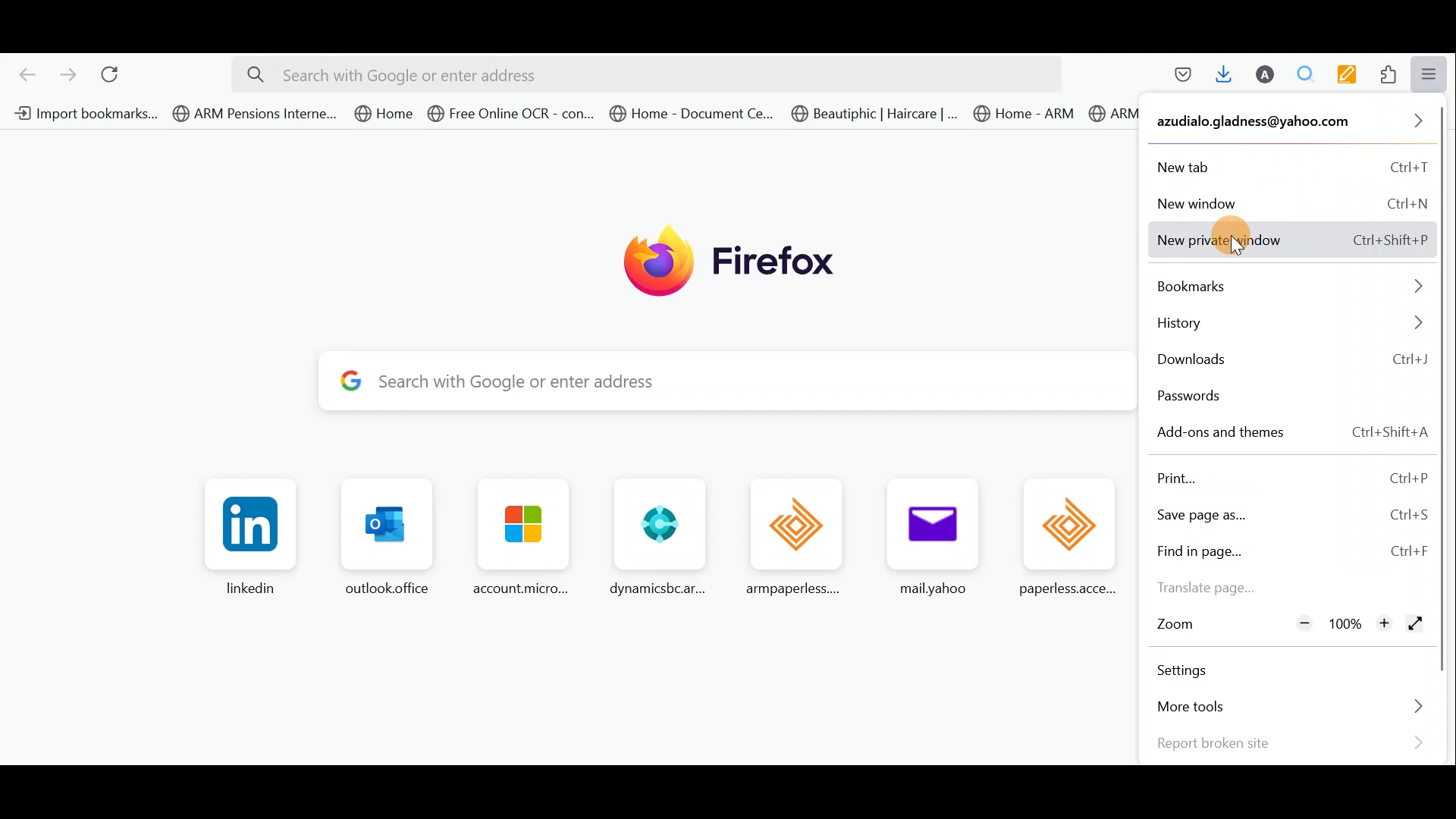 The image size is (1456, 819). What do you see at coordinates (642, 75) in the screenshot?
I see `Search bar` at bounding box center [642, 75].